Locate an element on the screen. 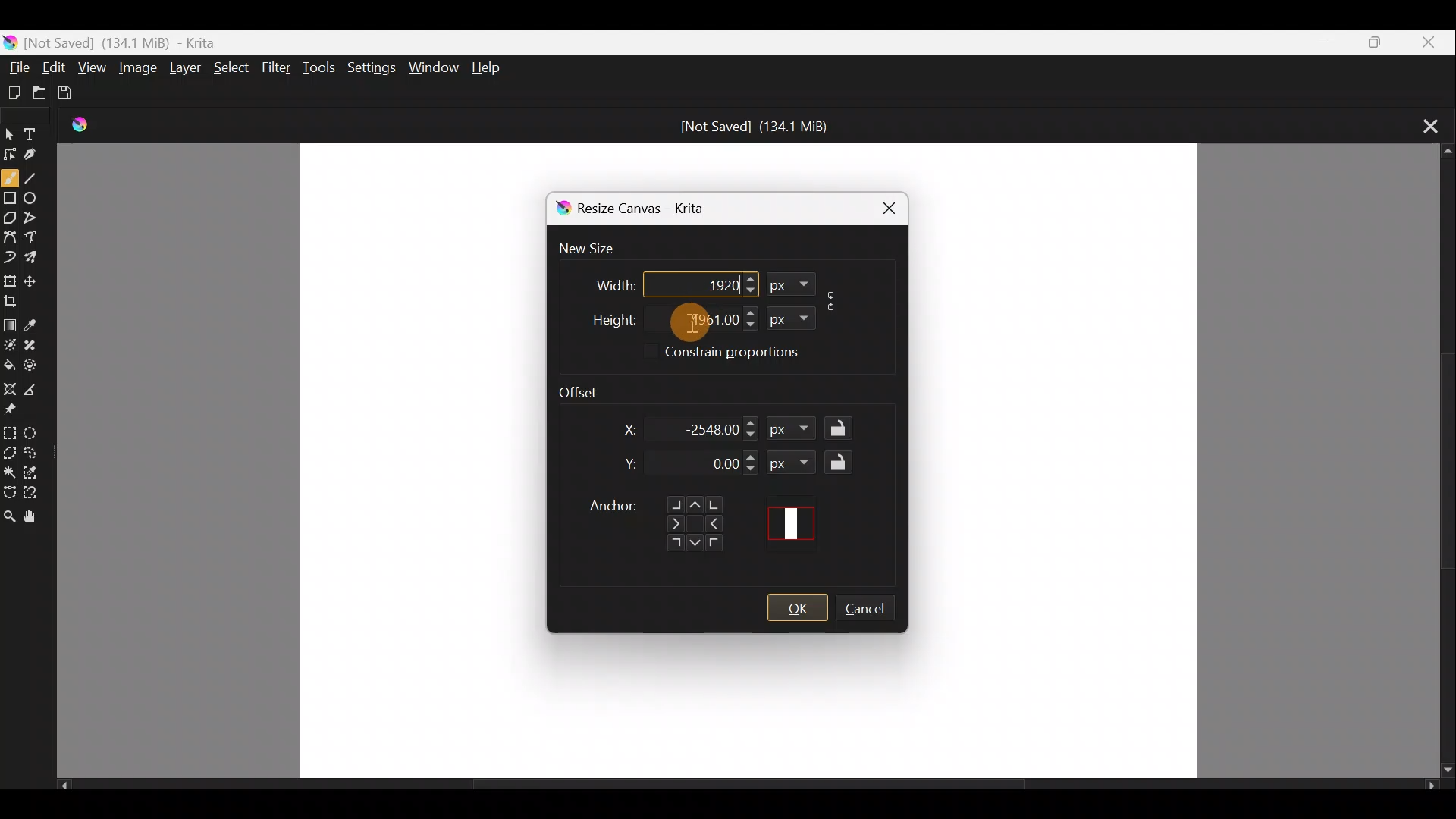 The width and height of the screenshot is (1456, 819). Pan tool is located at coordinates (33, 518).